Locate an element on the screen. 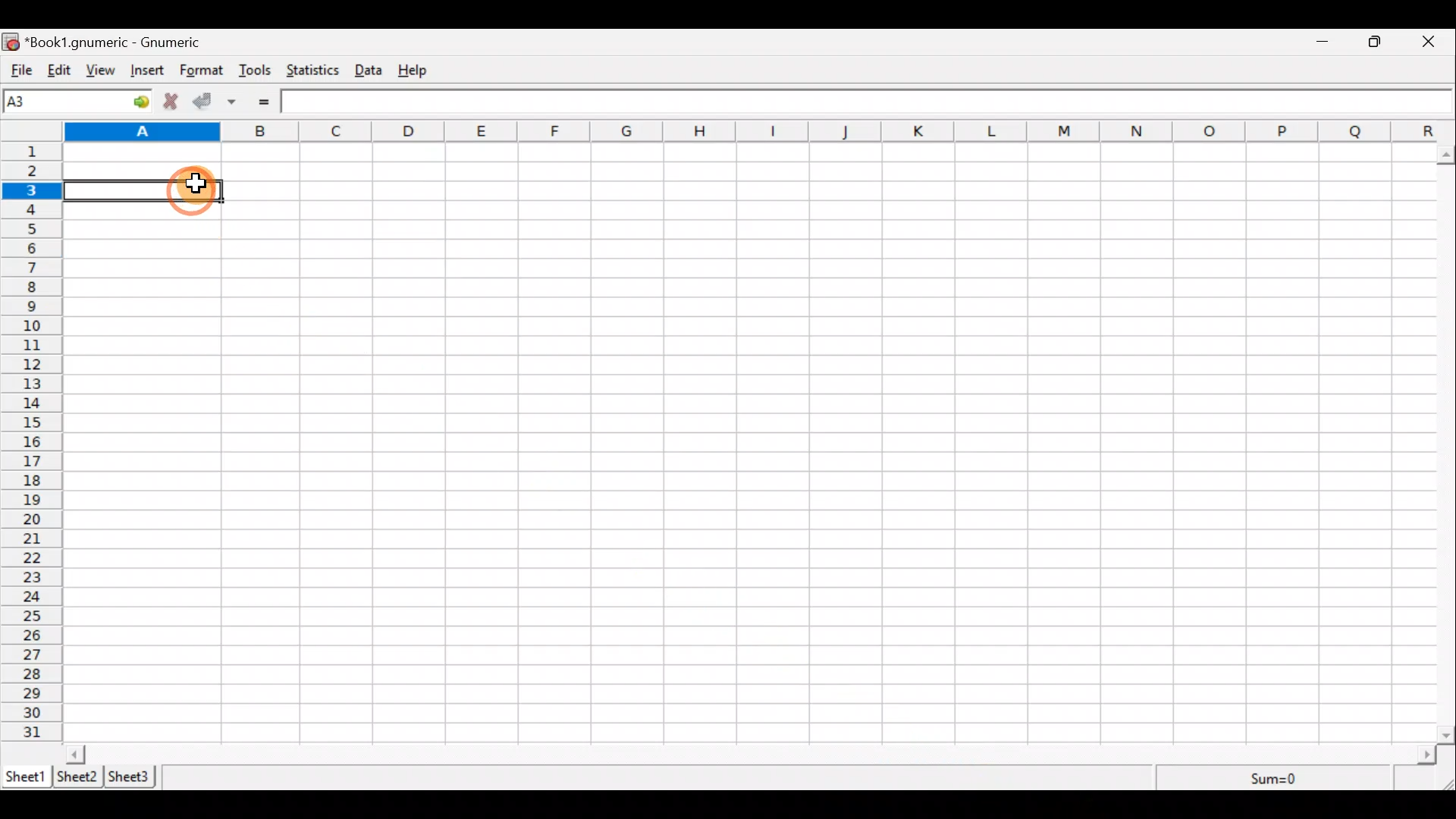  Sheet 1 is located at coordinates (26, 775).